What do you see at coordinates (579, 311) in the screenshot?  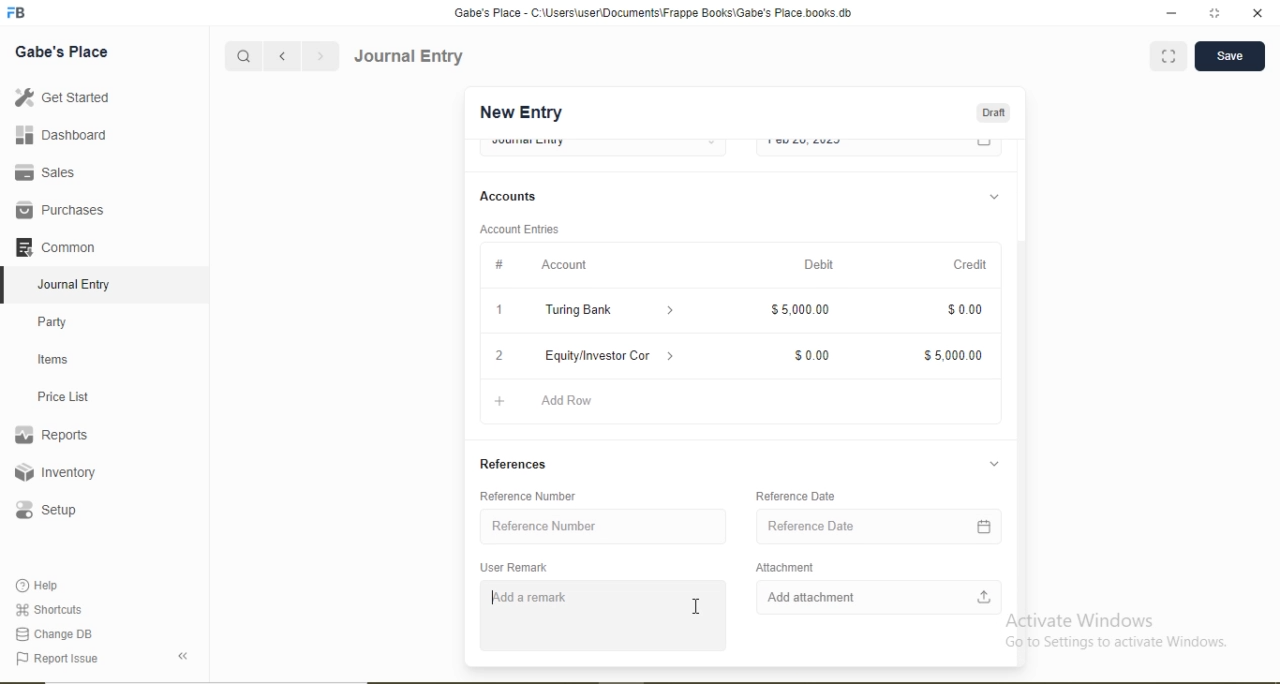 I see `Turing Bank` at bounding box center [579, 311].